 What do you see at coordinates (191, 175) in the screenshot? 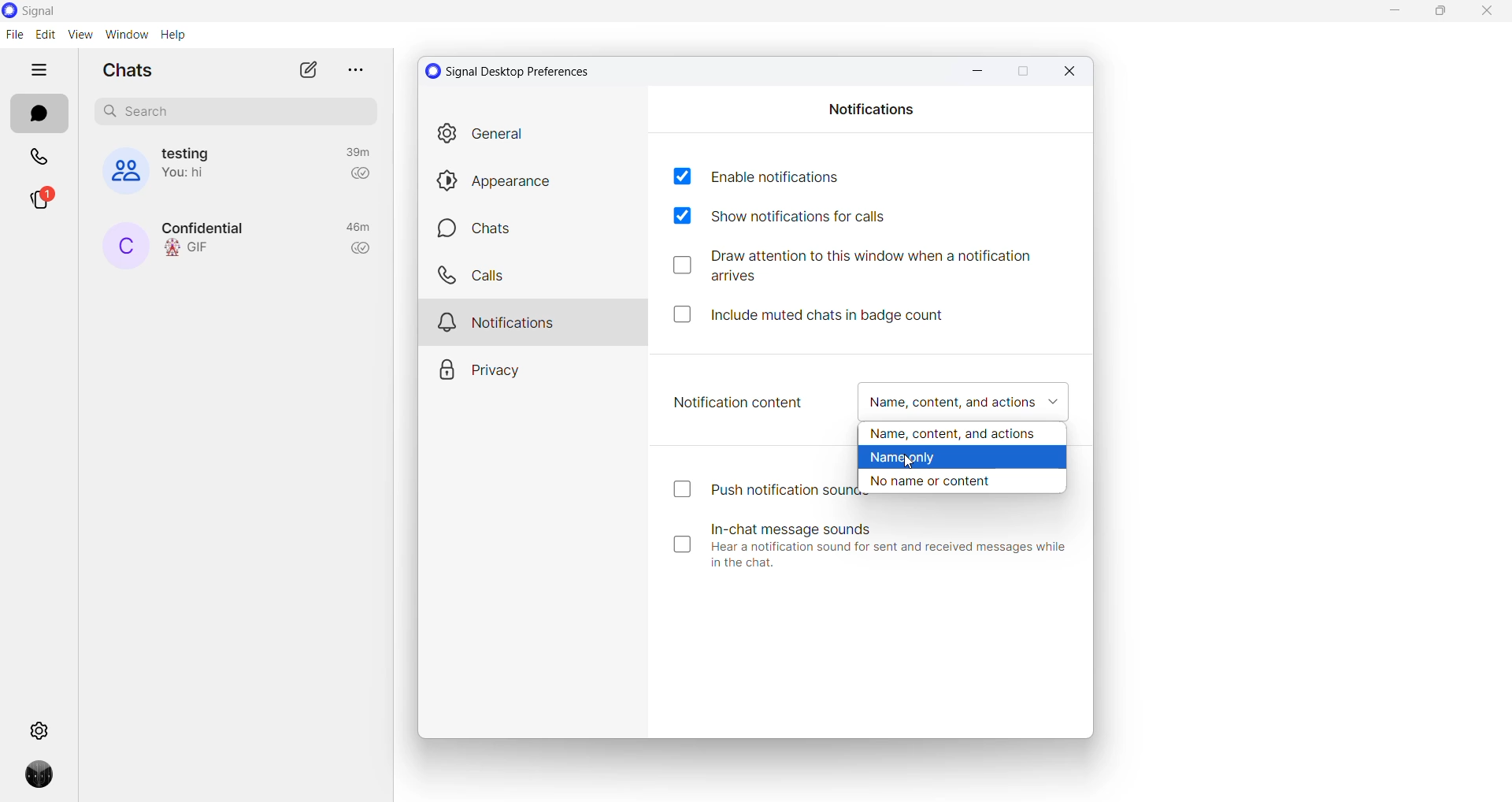
I see `last message` at bounding box center [191, 175].